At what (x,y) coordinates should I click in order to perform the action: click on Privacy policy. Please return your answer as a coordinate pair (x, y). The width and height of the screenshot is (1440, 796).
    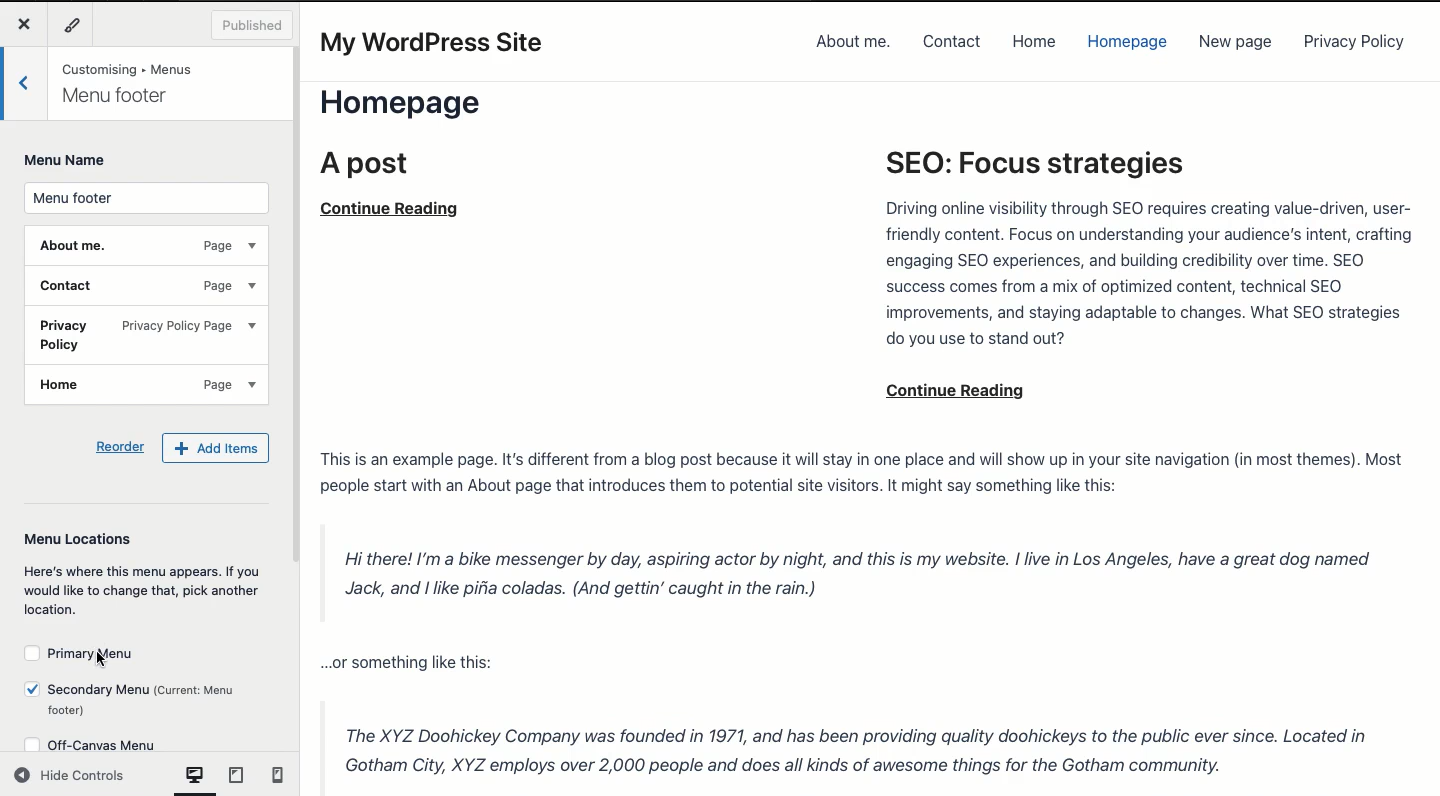
    Looking at the image, I should click on (146, 337).